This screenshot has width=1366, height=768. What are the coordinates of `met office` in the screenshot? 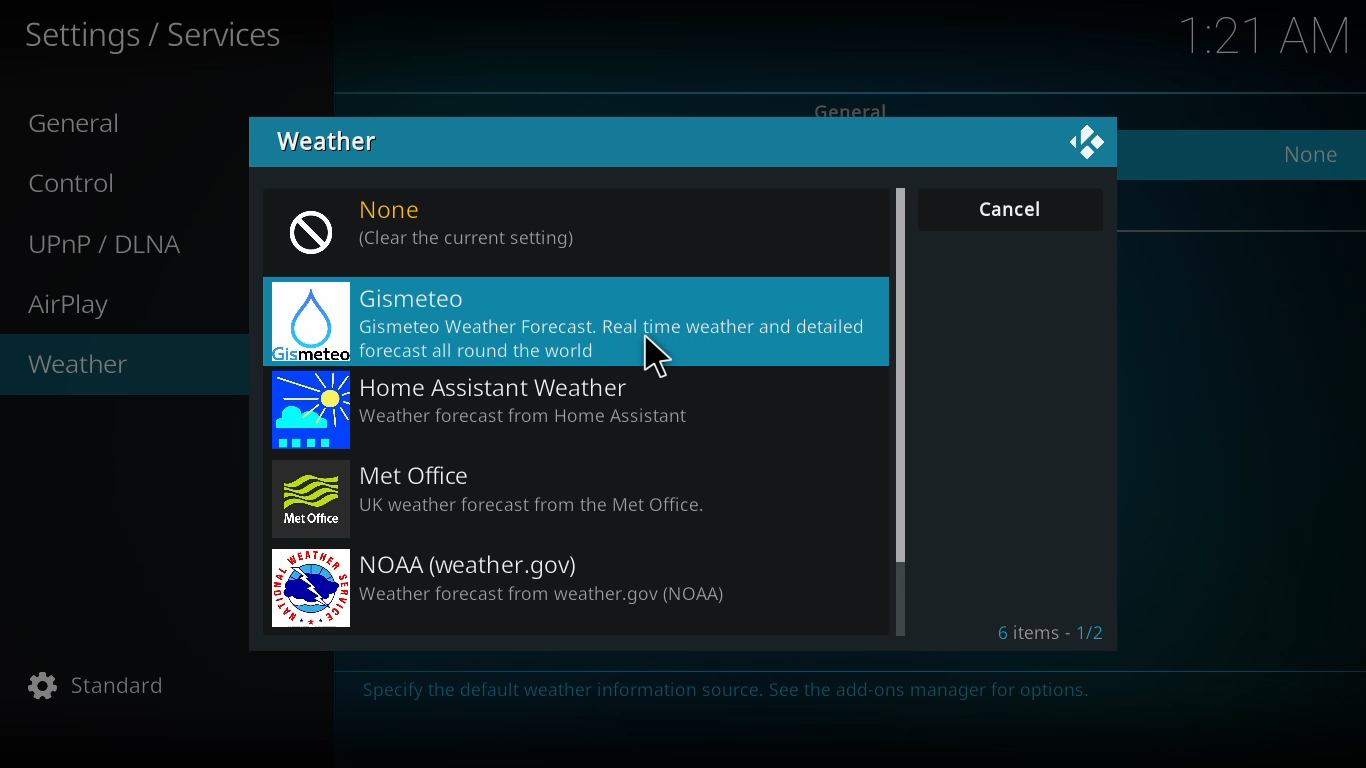 It's located at (501, 496).